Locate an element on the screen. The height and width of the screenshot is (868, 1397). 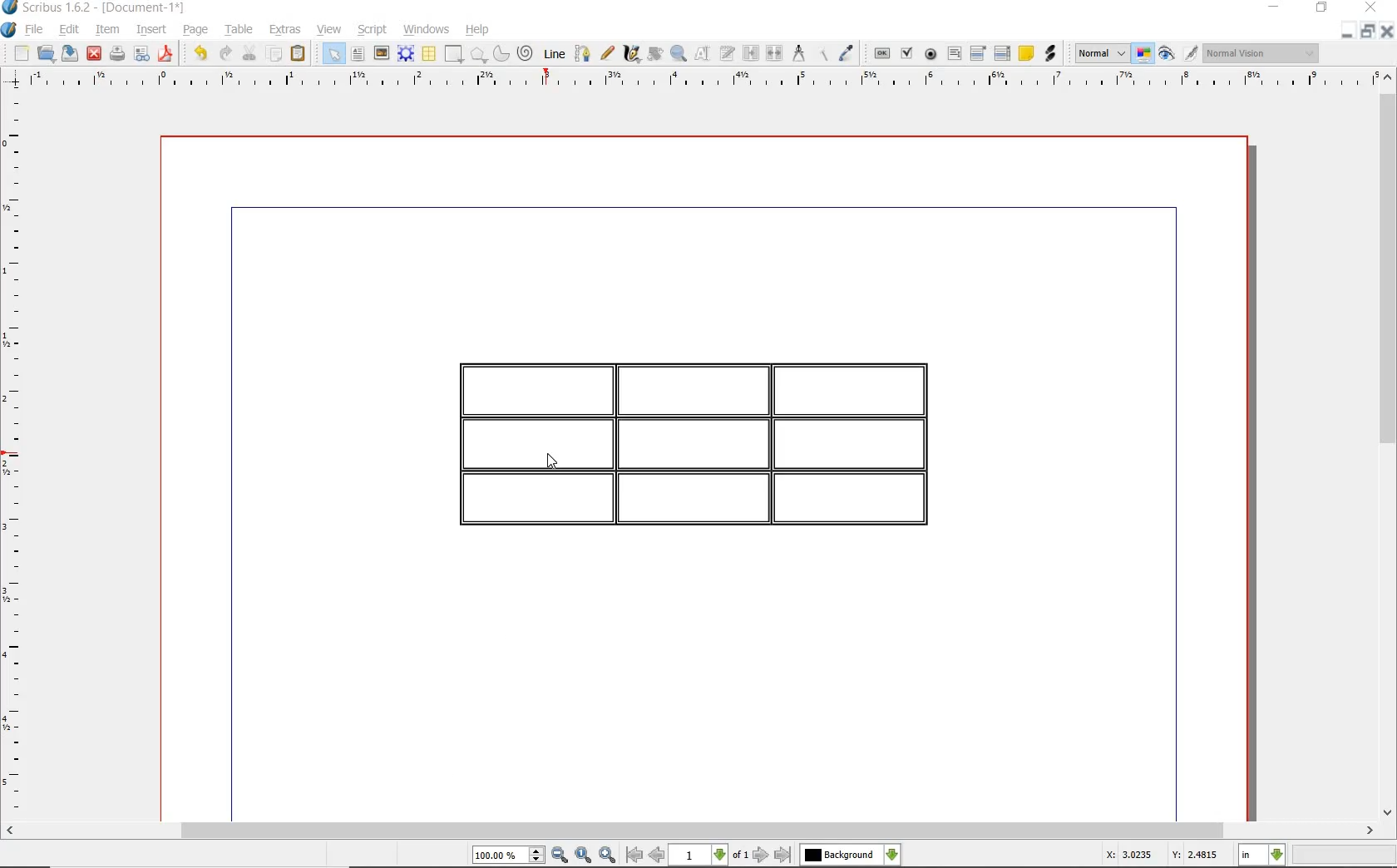
page is located at coordinates (196, 31).